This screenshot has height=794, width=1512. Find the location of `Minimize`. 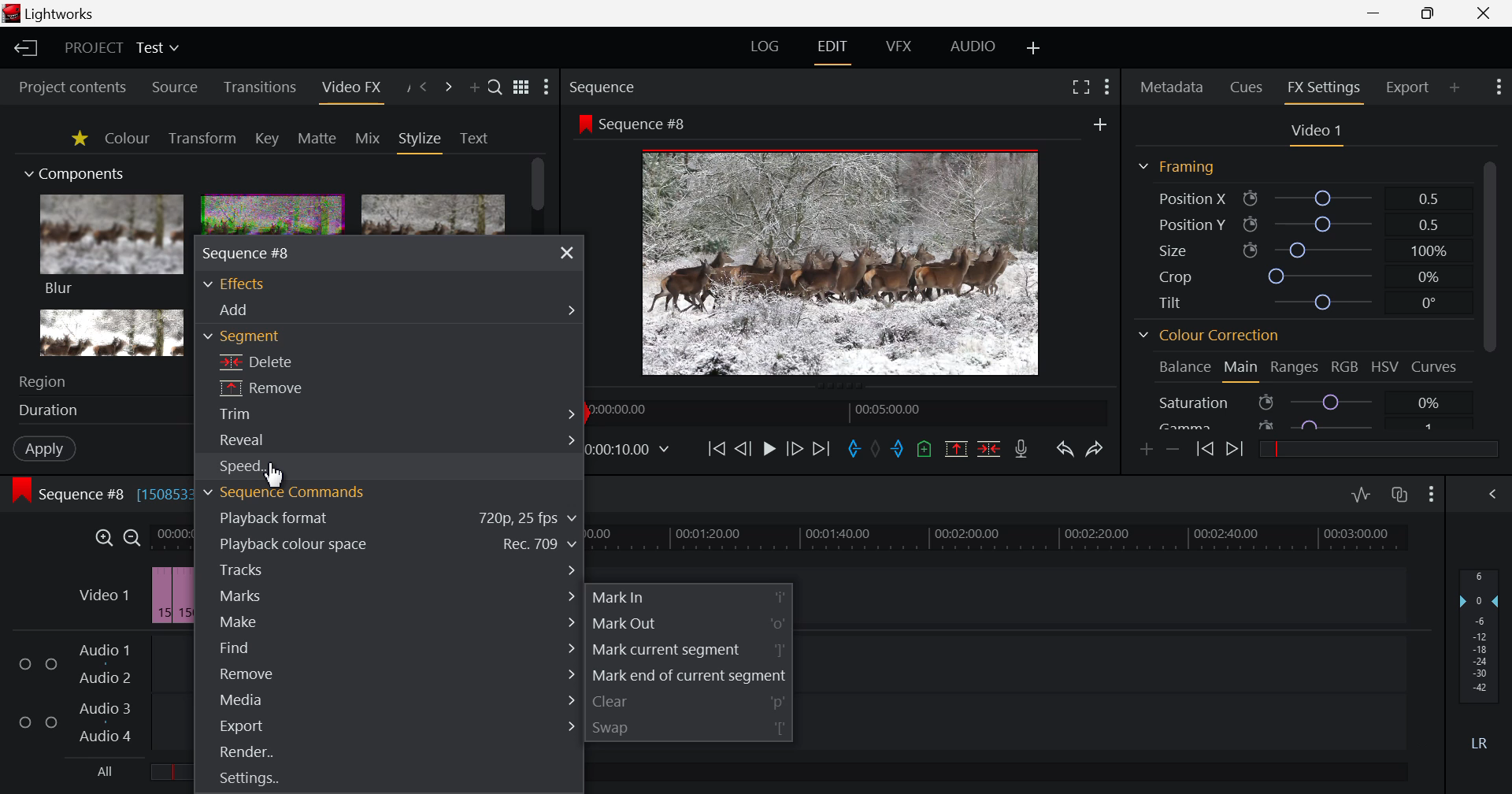

Minimize is located at coordinates (1429, 14).